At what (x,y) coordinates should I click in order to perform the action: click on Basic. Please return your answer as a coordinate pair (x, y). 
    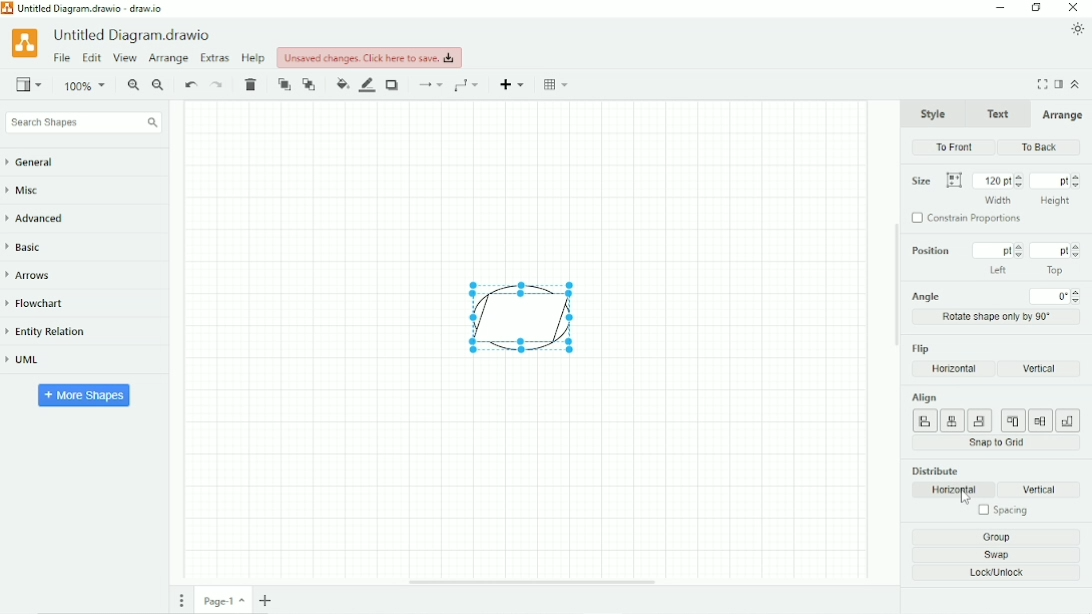
    Looking at the image, I should click on (28, 246).